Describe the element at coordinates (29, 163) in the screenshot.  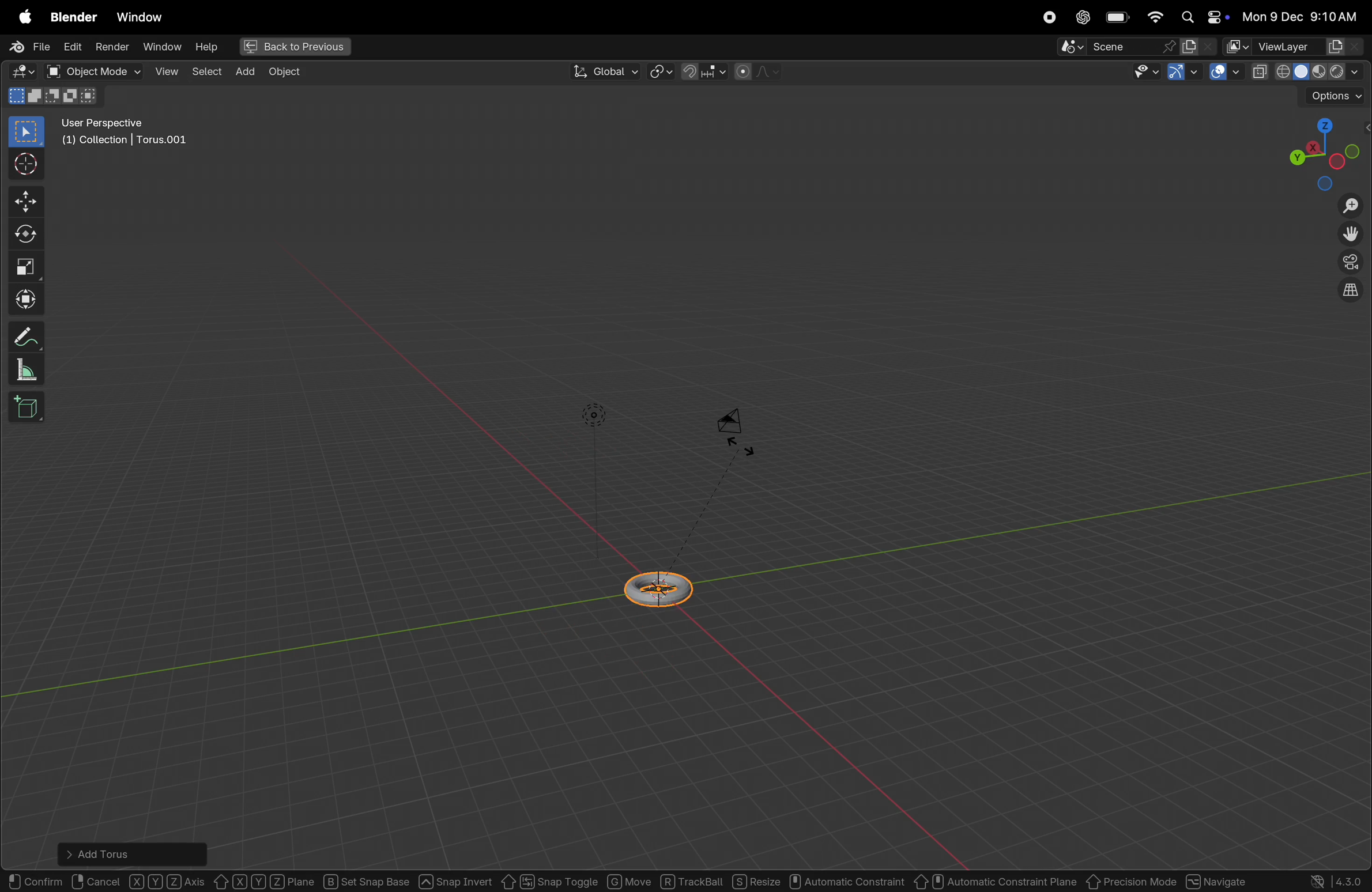
I see `curosor` at that location.